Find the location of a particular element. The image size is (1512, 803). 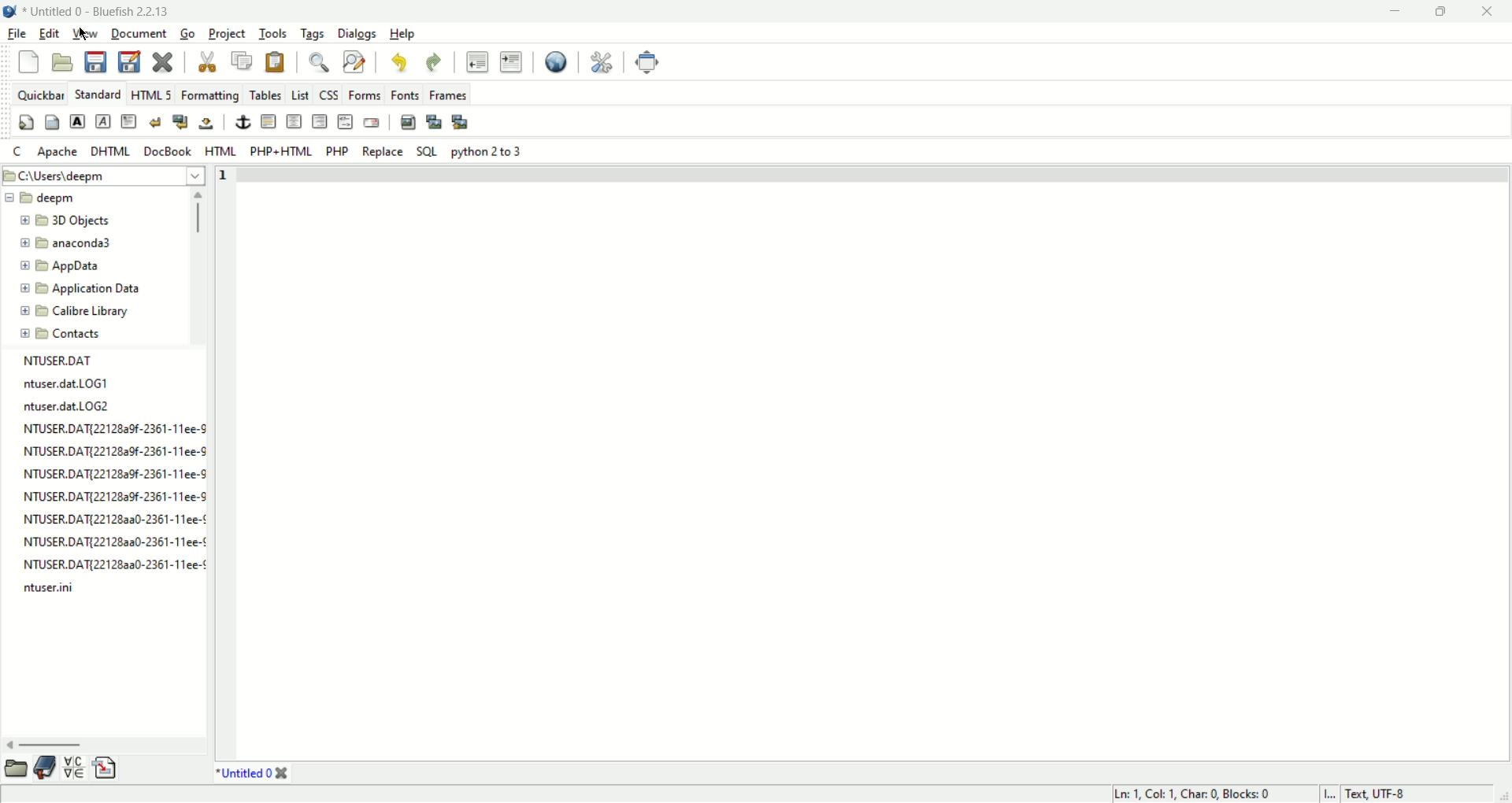

NTUSER.DAT[221282a9f-2361-11ee-S is located at coordinates (116, 428).